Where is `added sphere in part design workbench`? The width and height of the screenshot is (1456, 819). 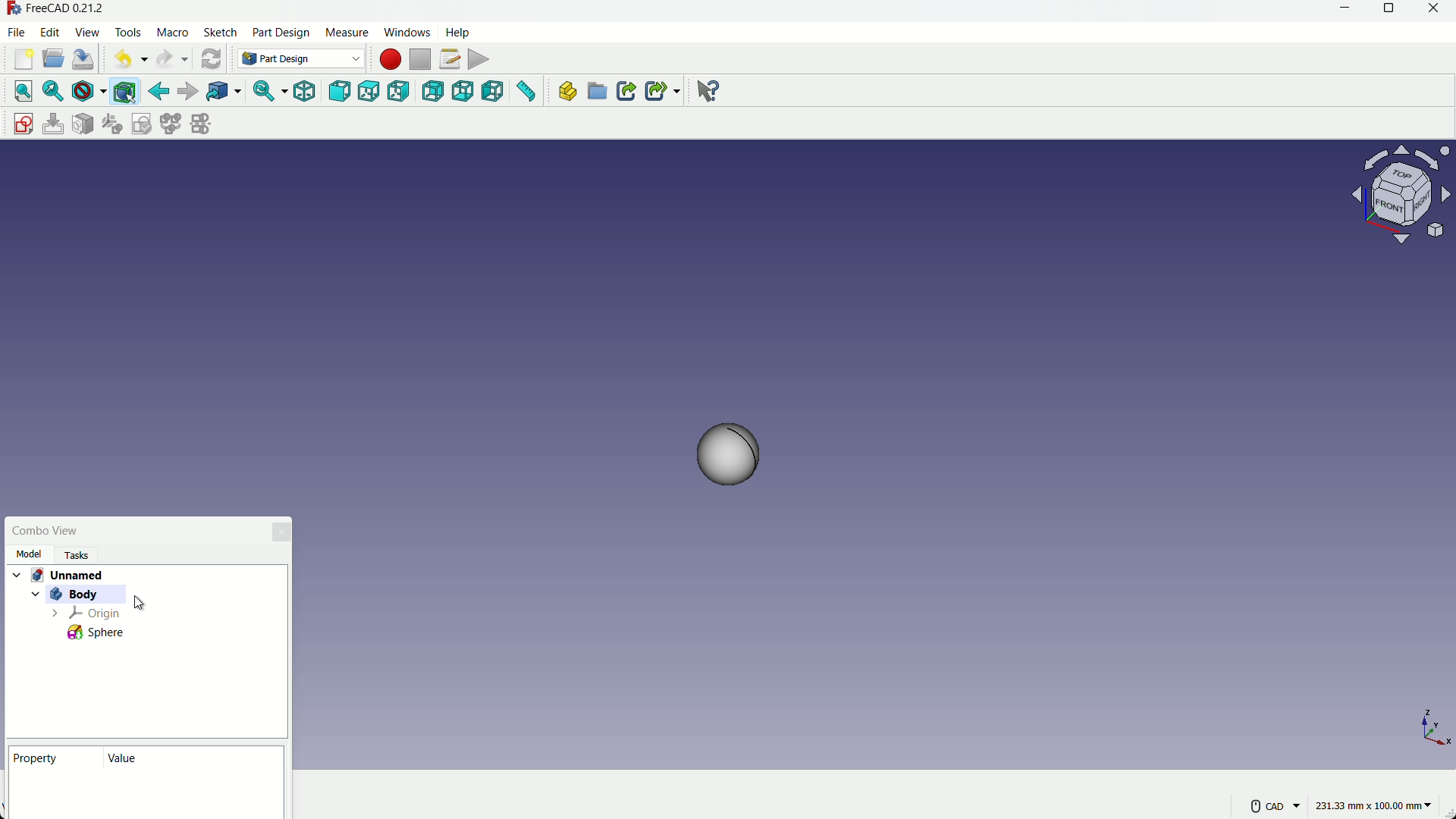 added sphere in part design workbench is located at coordinates (736, 463).